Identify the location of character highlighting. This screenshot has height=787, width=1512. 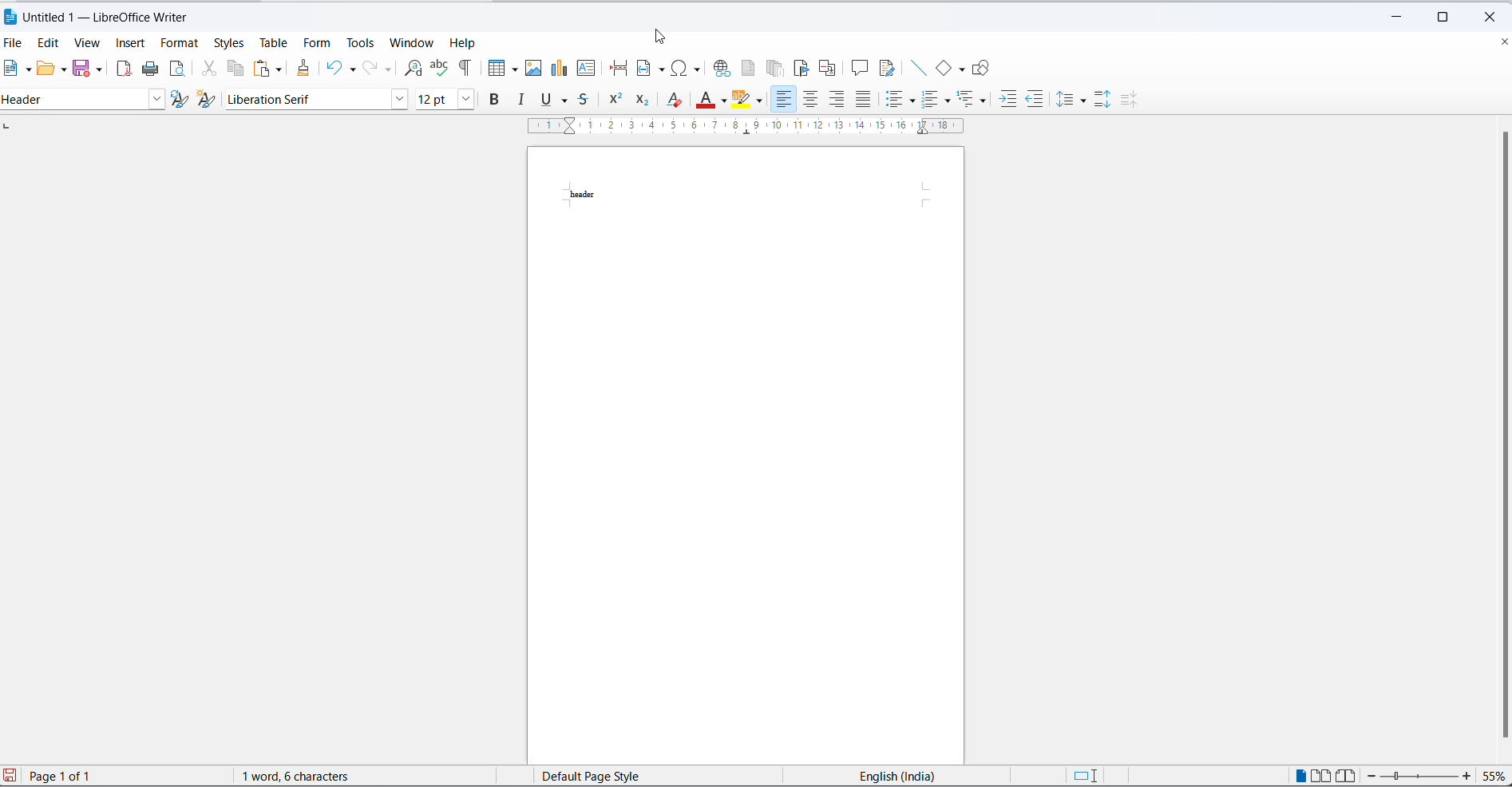
(745, 99).